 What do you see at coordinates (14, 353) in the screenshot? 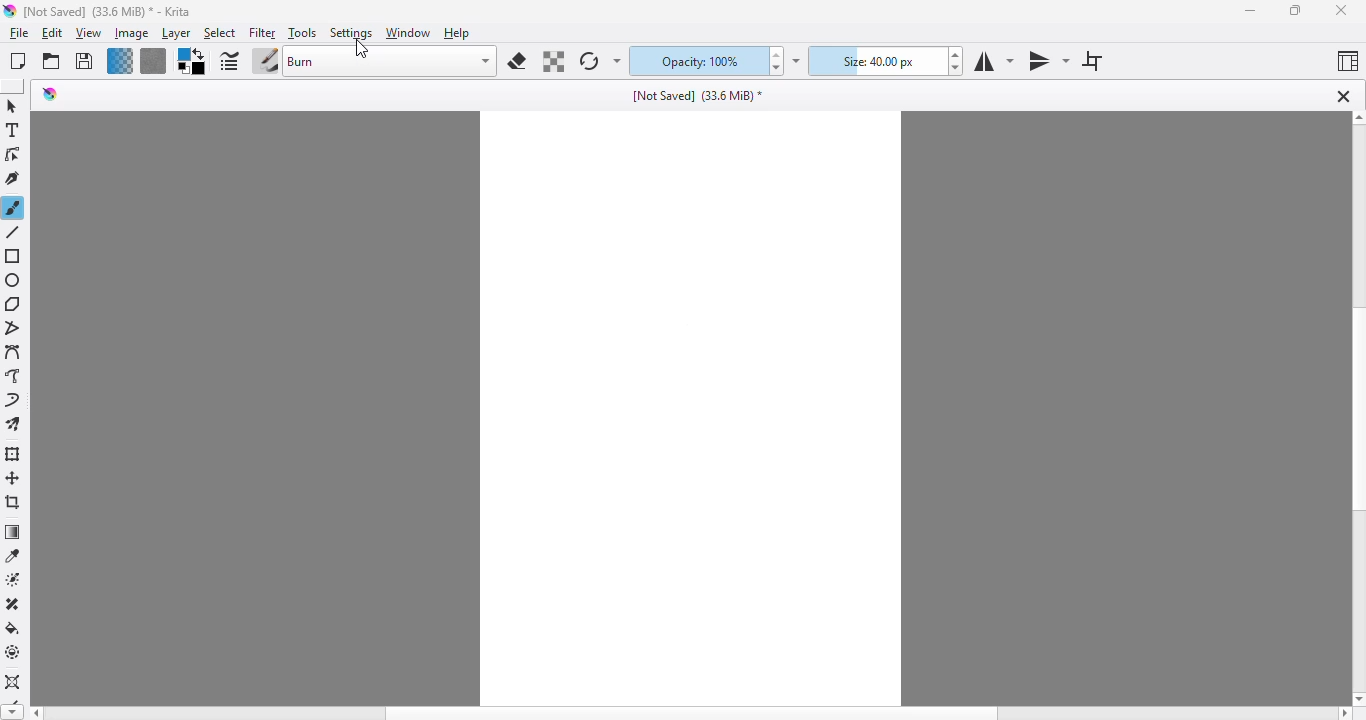
I see `bezier curve tool` at bounding box center [14, 353].